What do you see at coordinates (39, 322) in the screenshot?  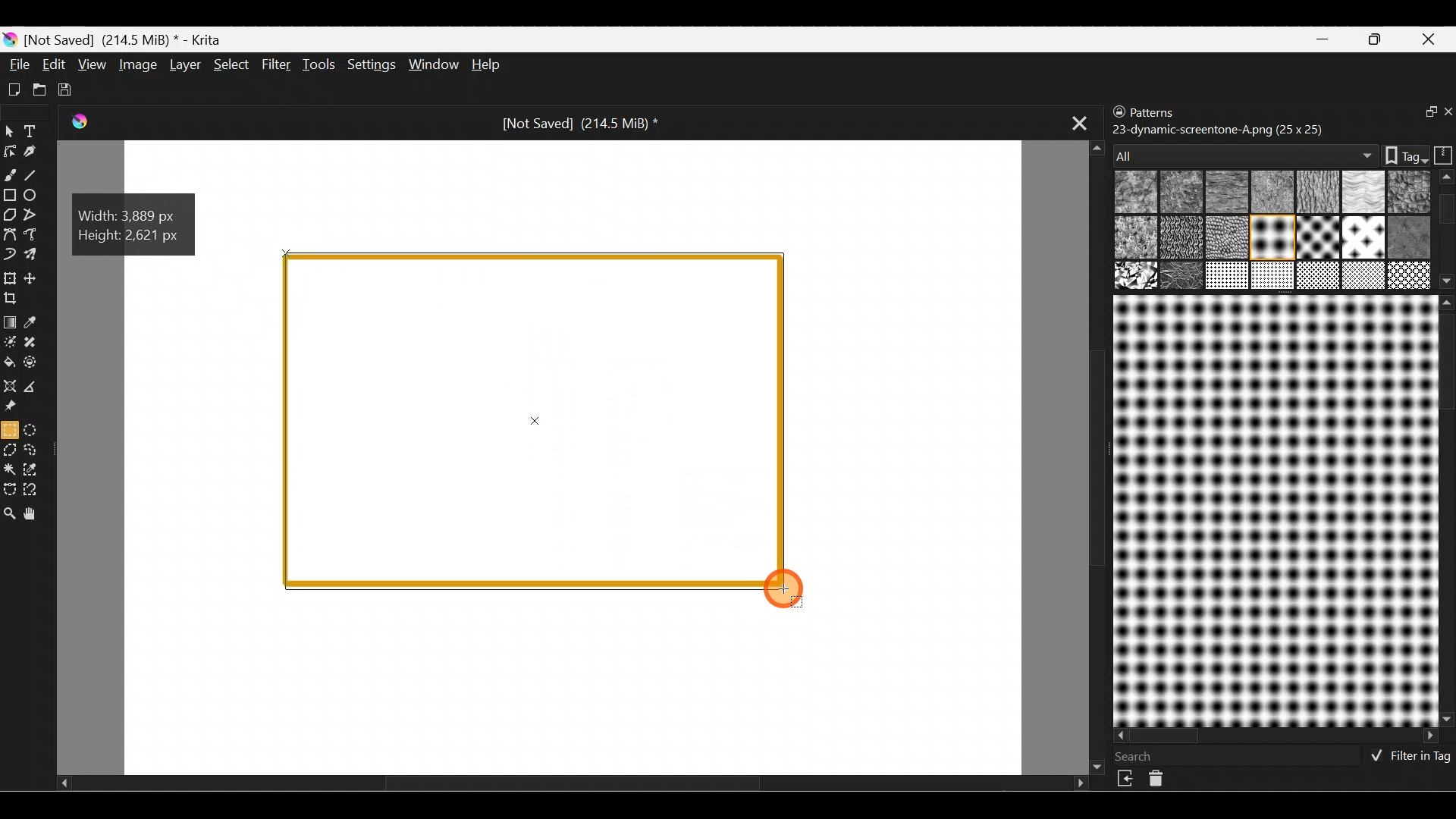 I see `Sample a colour` at bounding box center [39, 322].